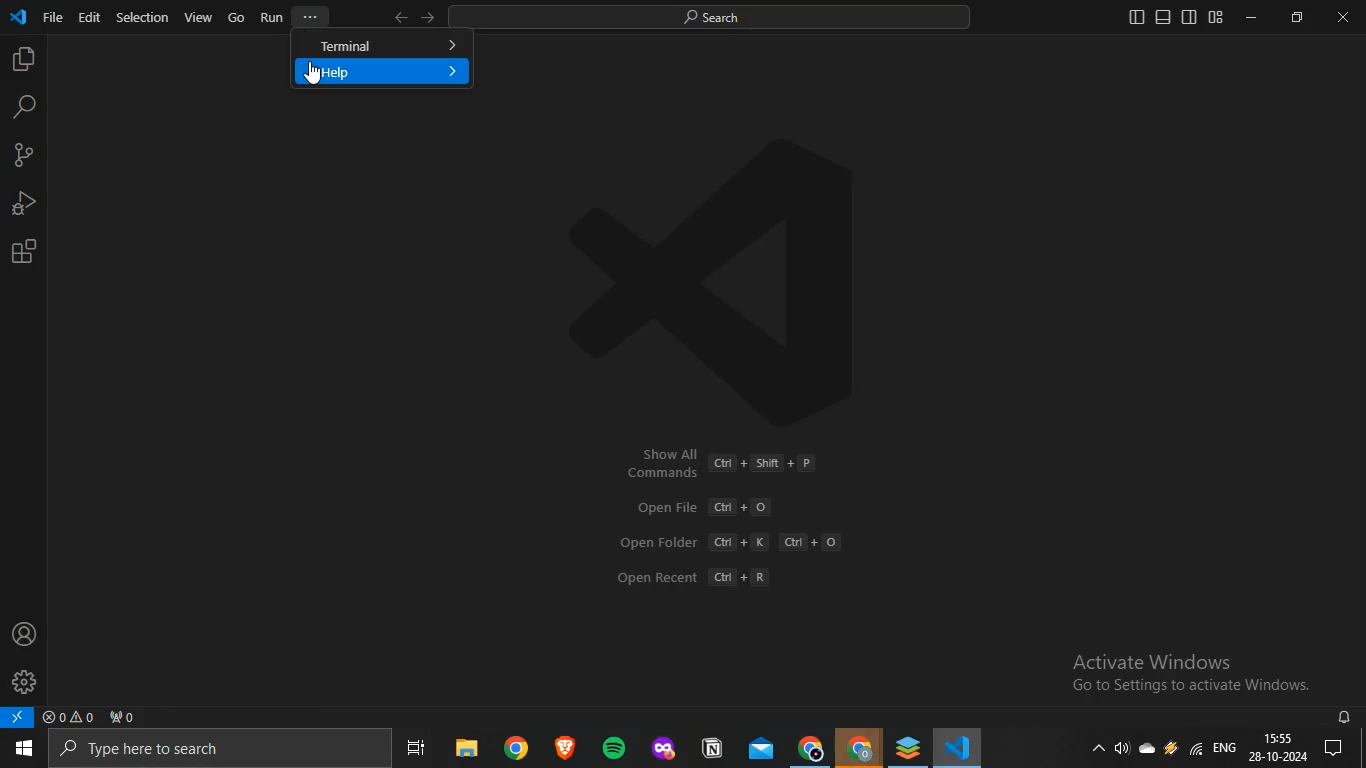 This screenshot has height=768, width=1366. I want to click on restore window, so click(1297, 16).